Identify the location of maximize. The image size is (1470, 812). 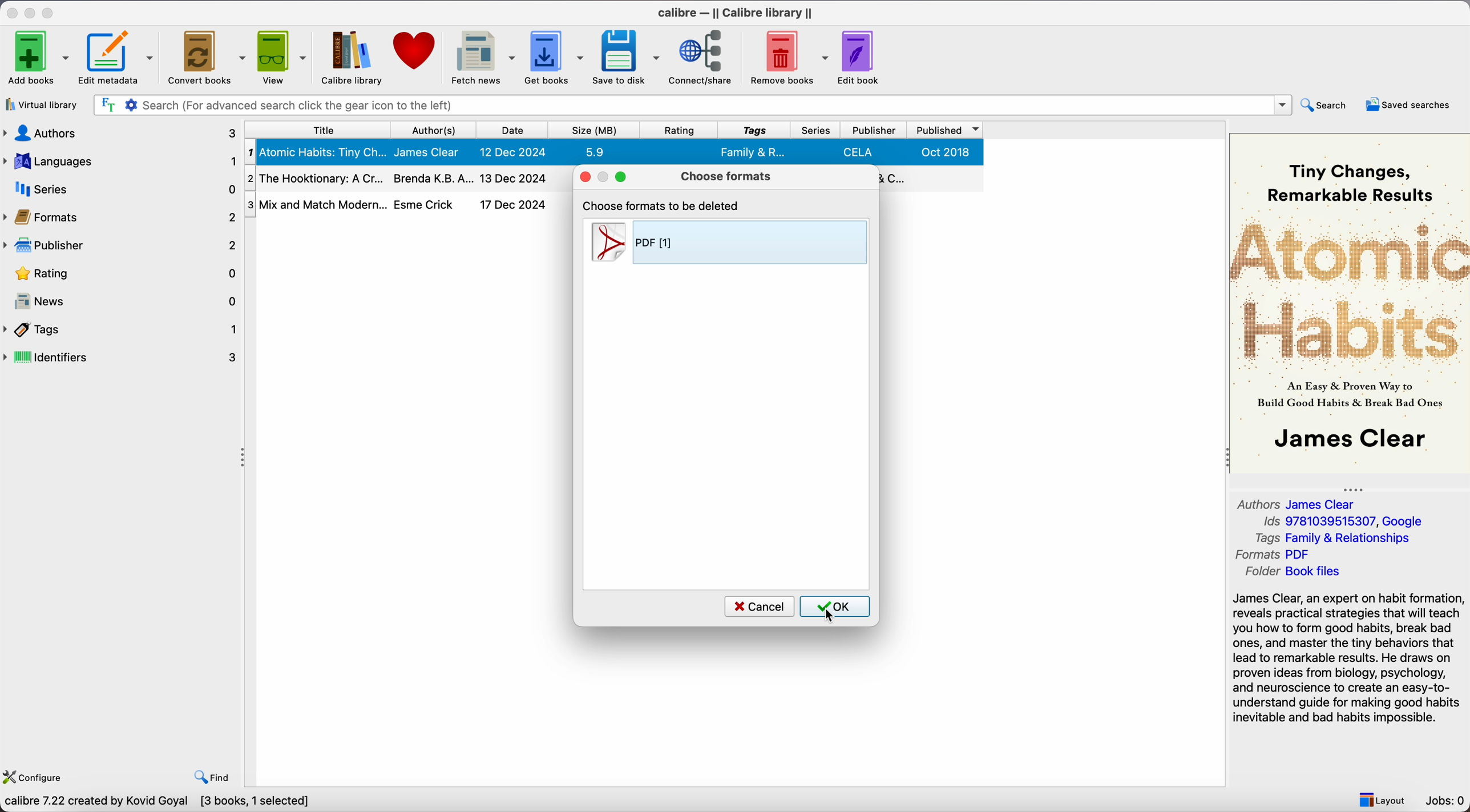
(620, 176).